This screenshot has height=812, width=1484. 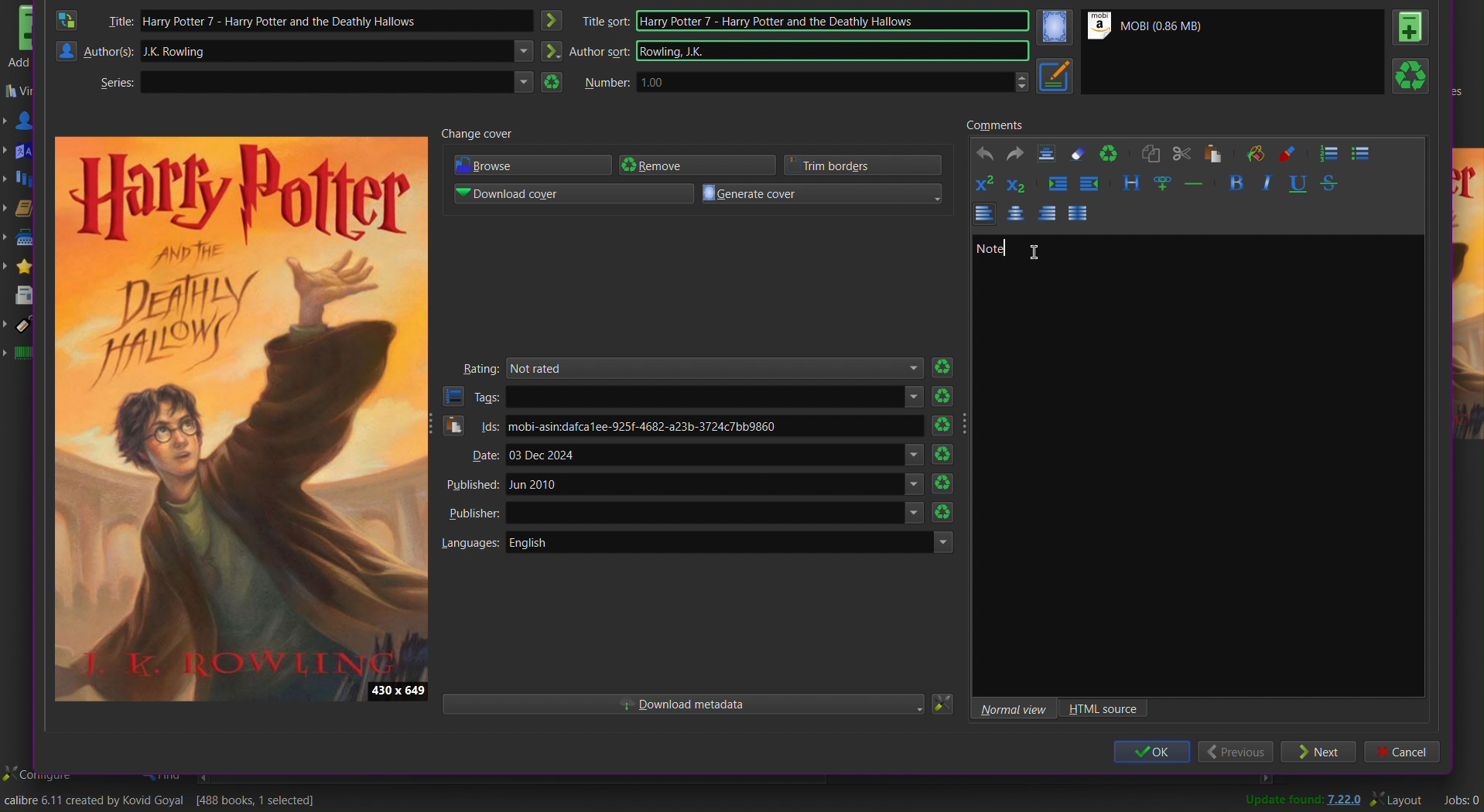 I want to click on Ids, so click(x=470, y=428).